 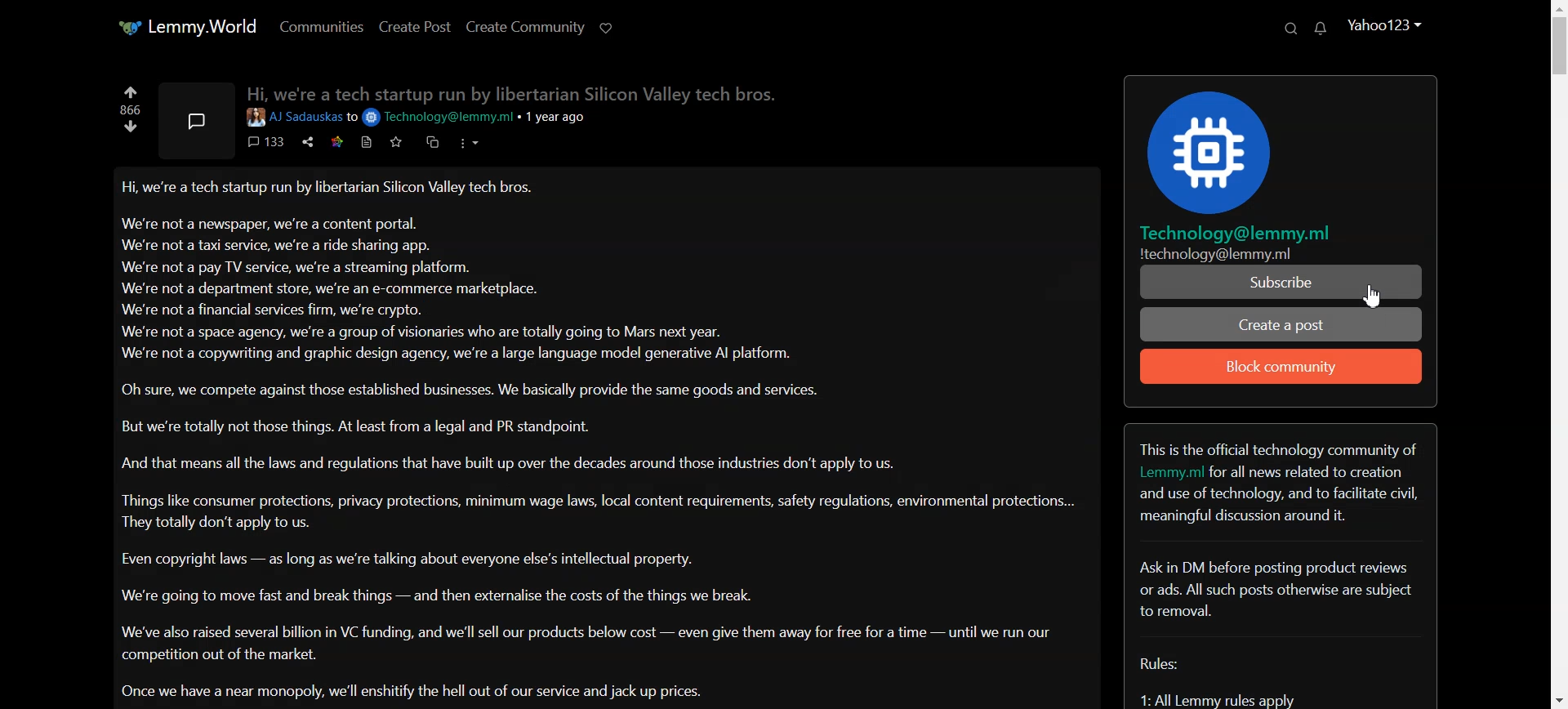 I want to click on Posts, so click(x=604, y=432).